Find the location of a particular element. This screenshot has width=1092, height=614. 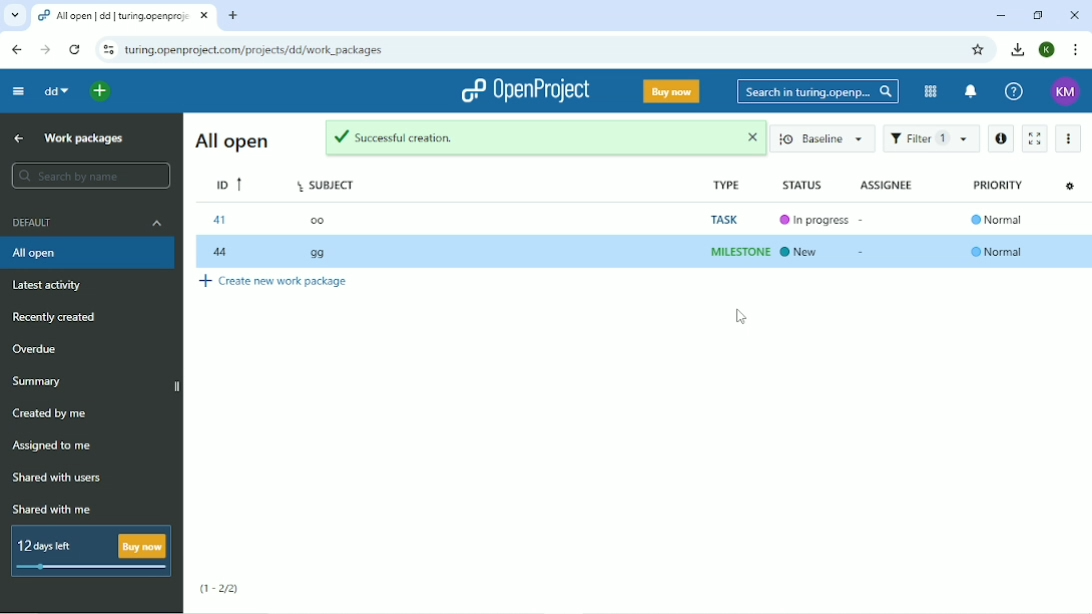

(1-2/2) is located at coordinates (221, 588).